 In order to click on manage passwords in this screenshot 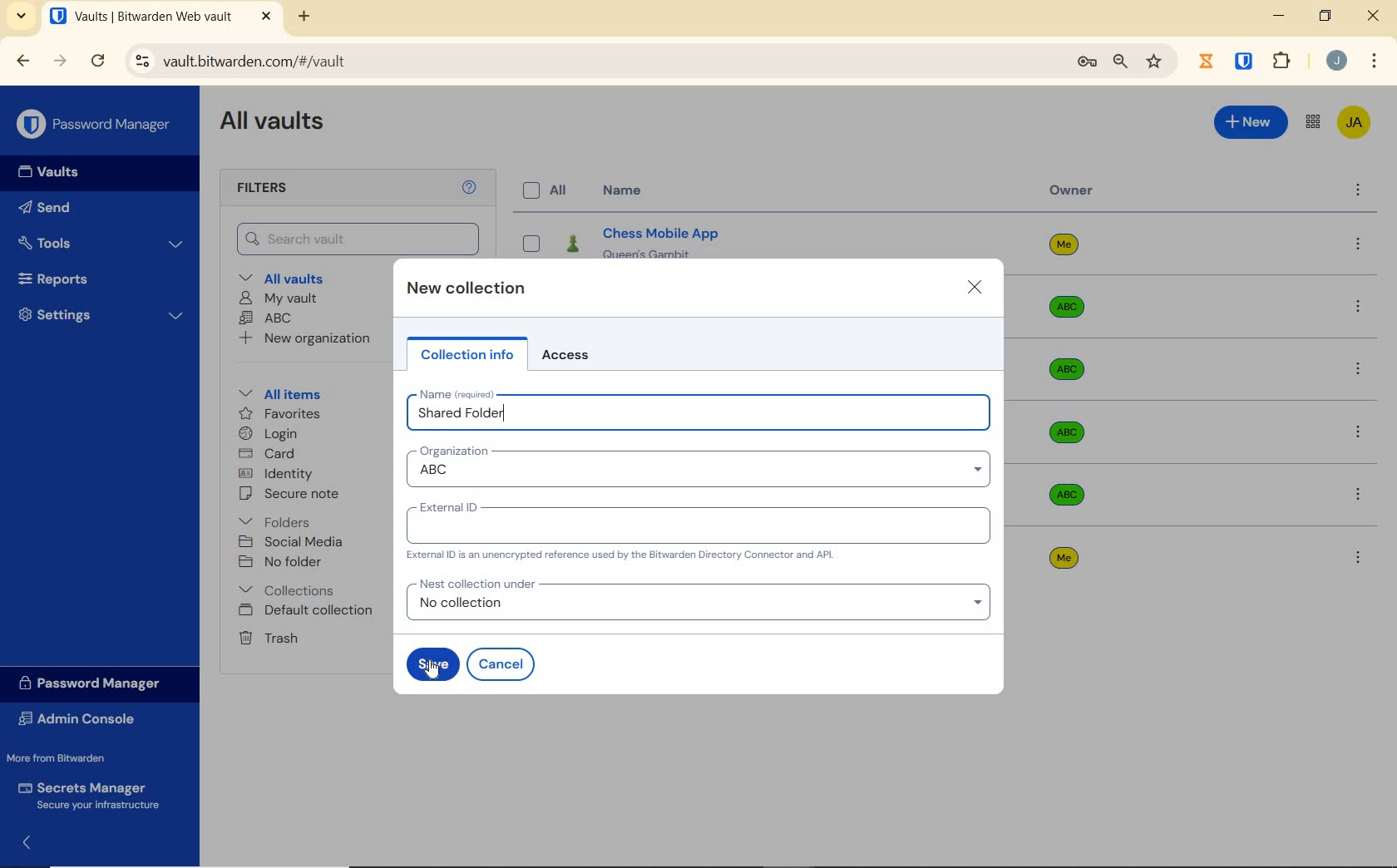, I will do `click(1087, 64)`.